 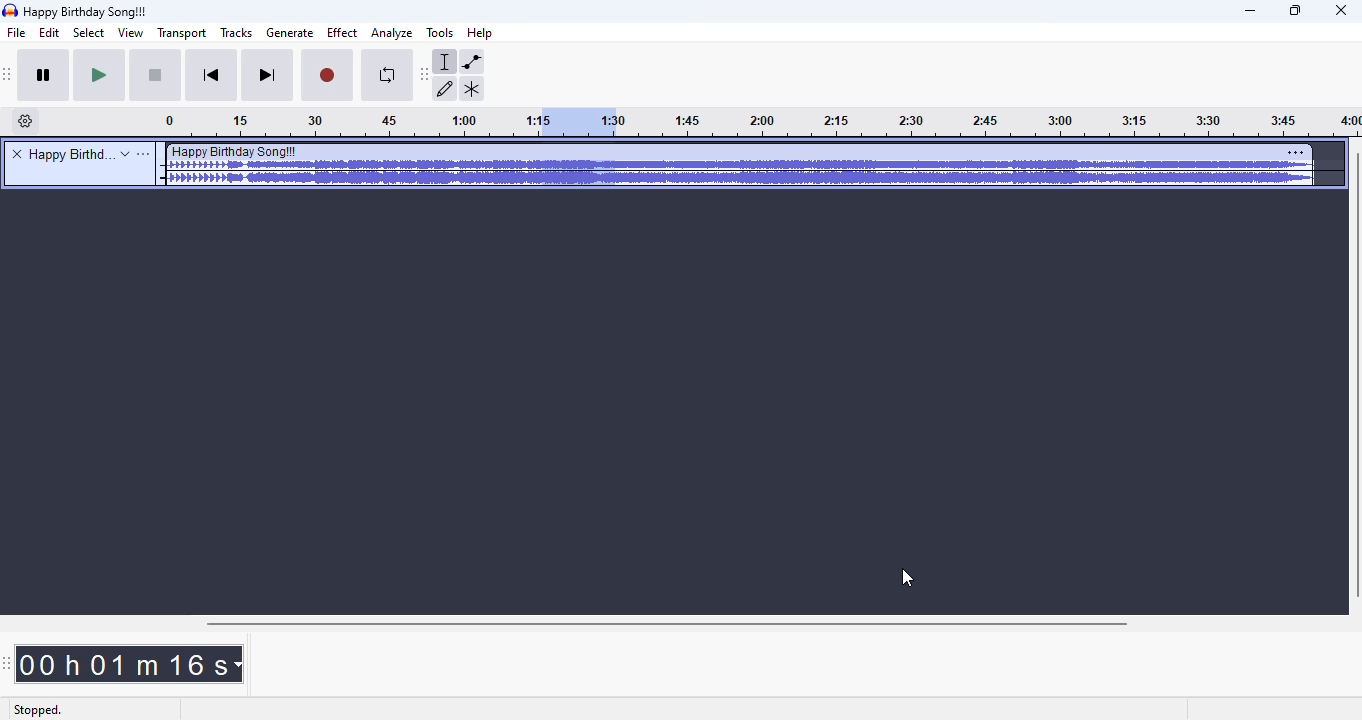 I want to click on analyze, so click(x=392, y=34).